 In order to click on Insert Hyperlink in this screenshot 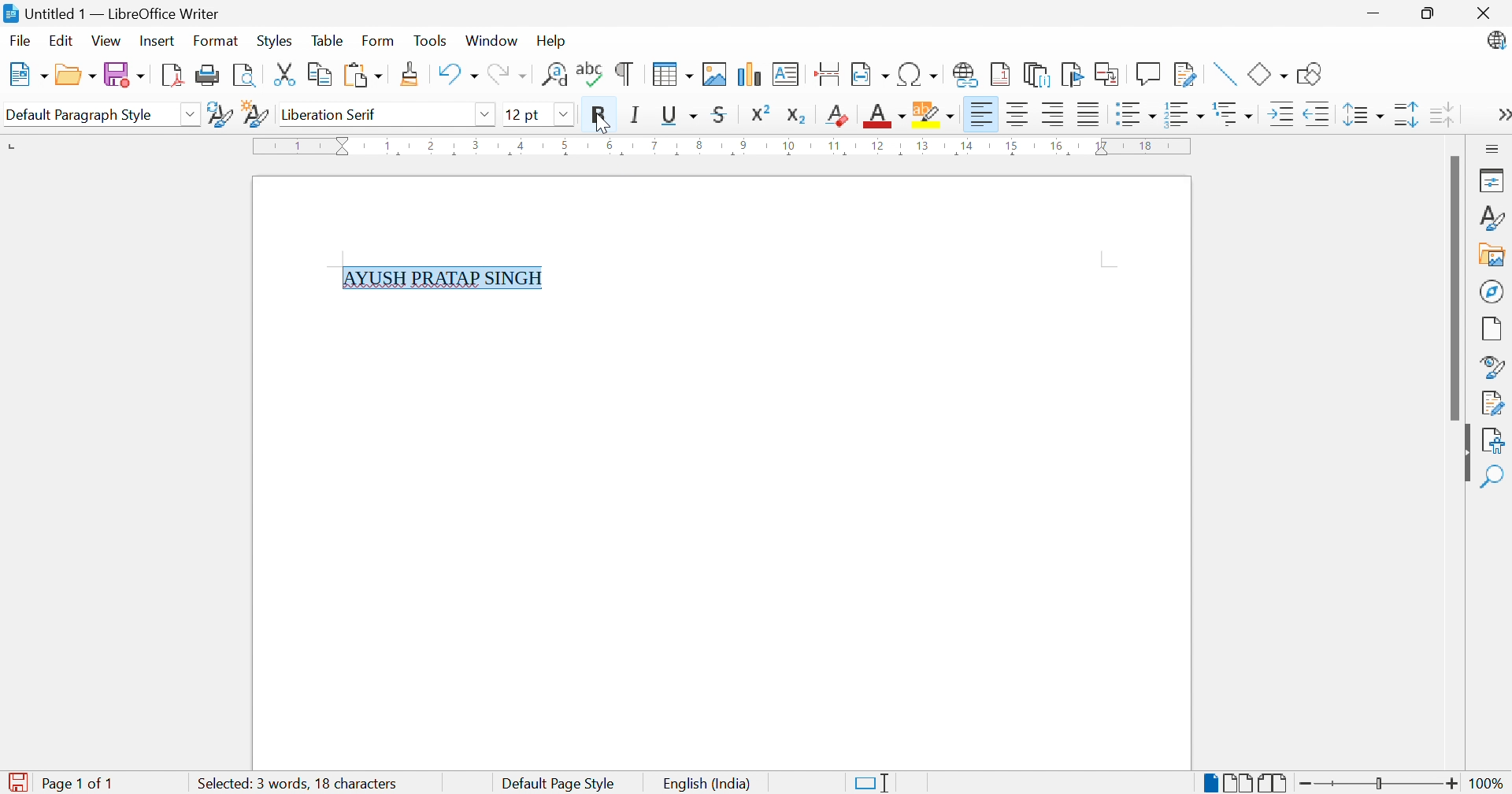, I will do `click(963, 74)`.